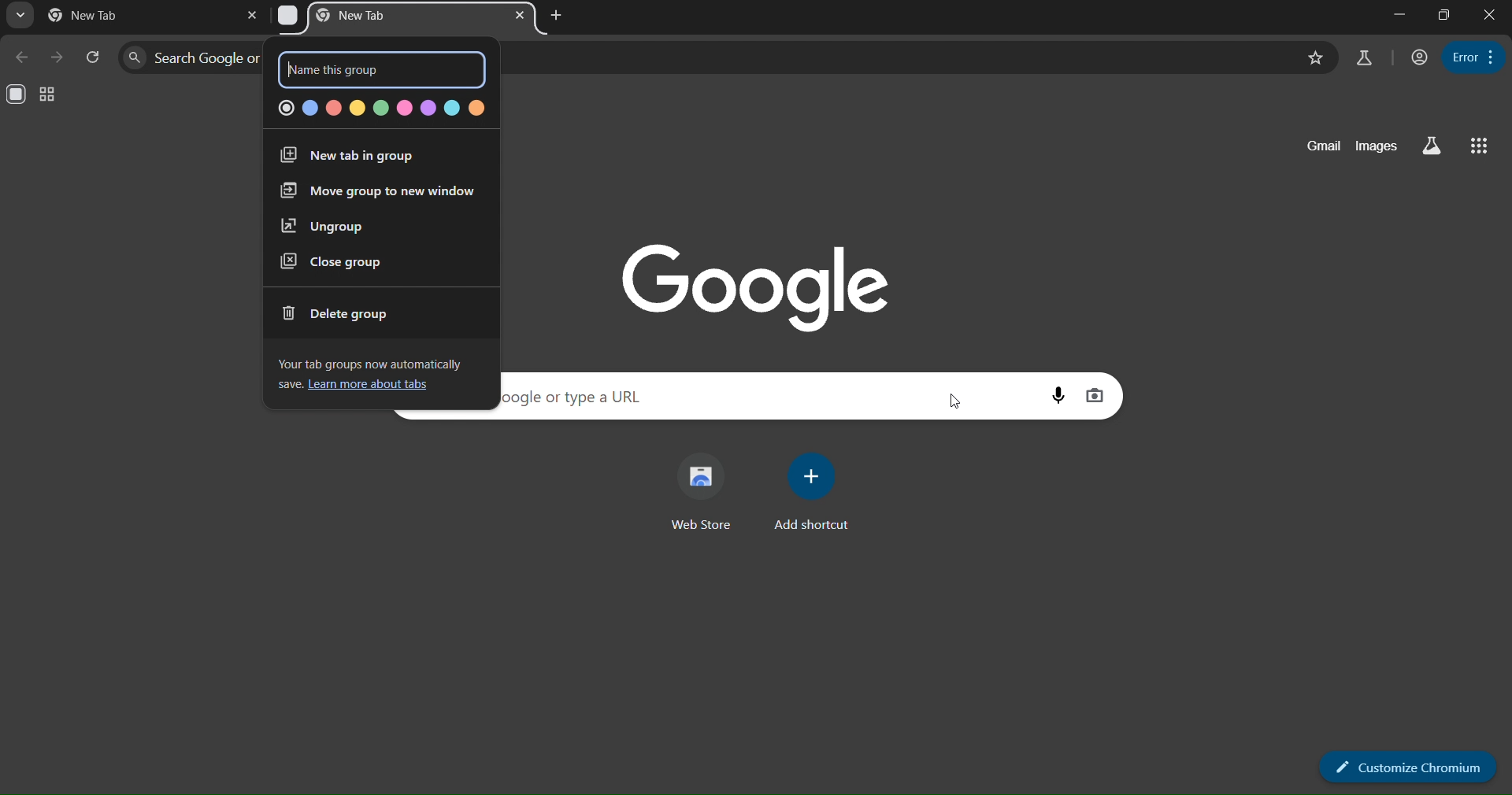 The height and width of the screenshot is (795, 1512). Describe the element at coordinates (372, 192) in the screenshot. I see `move group to new window` at that location.